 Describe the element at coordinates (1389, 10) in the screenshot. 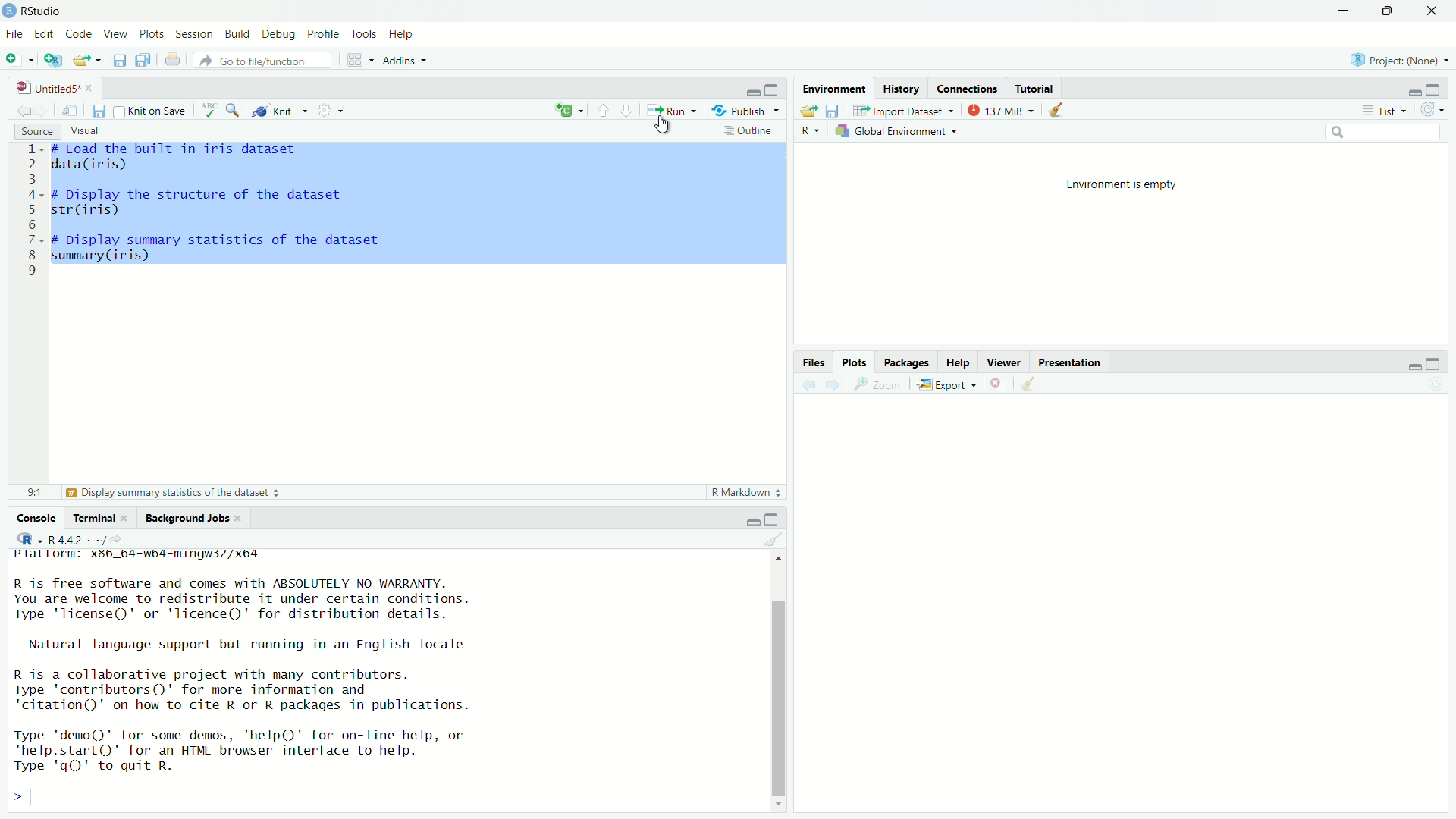

I see `Maximize` at that location.